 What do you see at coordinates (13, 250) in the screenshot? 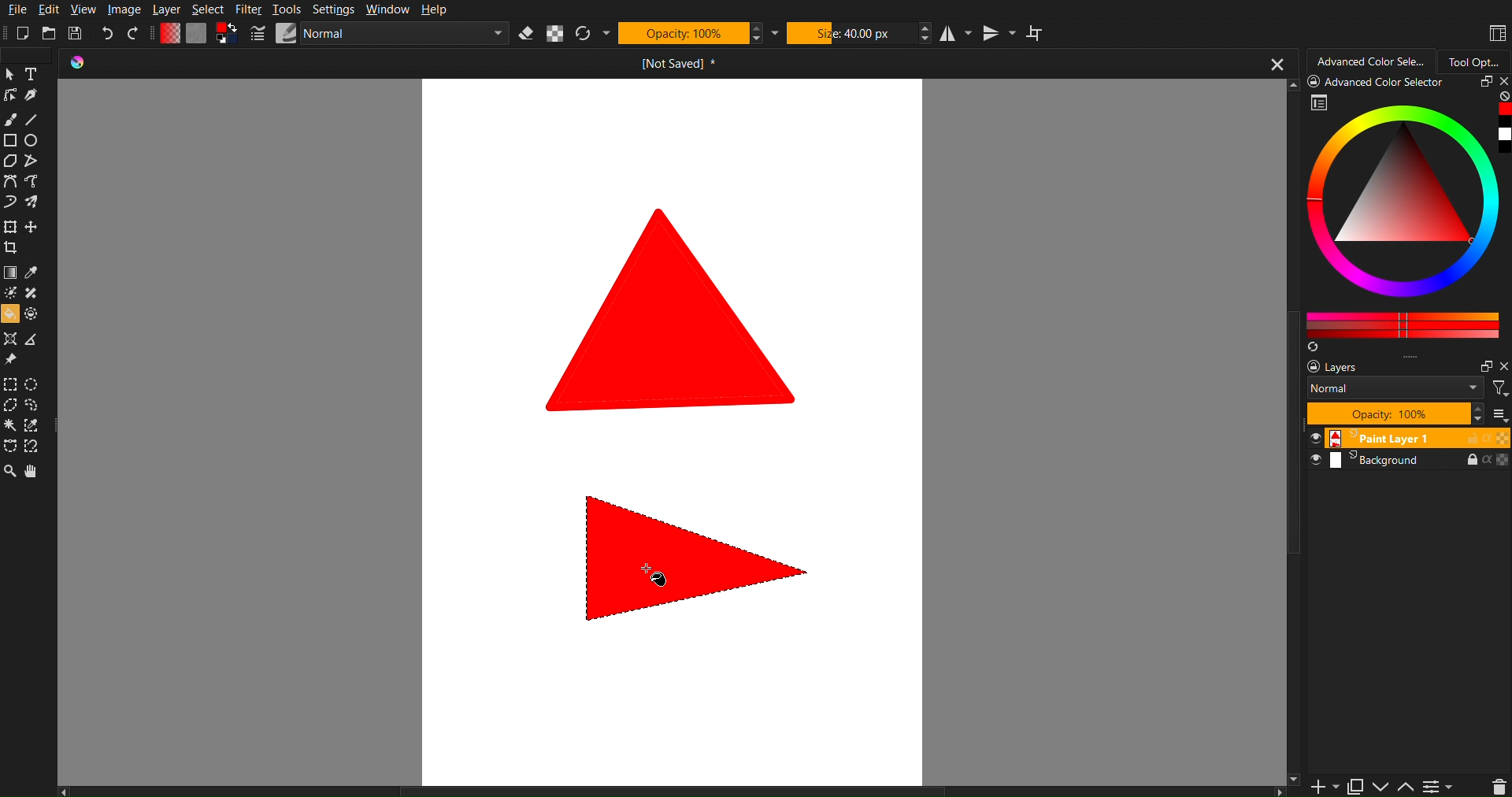
I see `Crop` at bounding box center [13, 250].